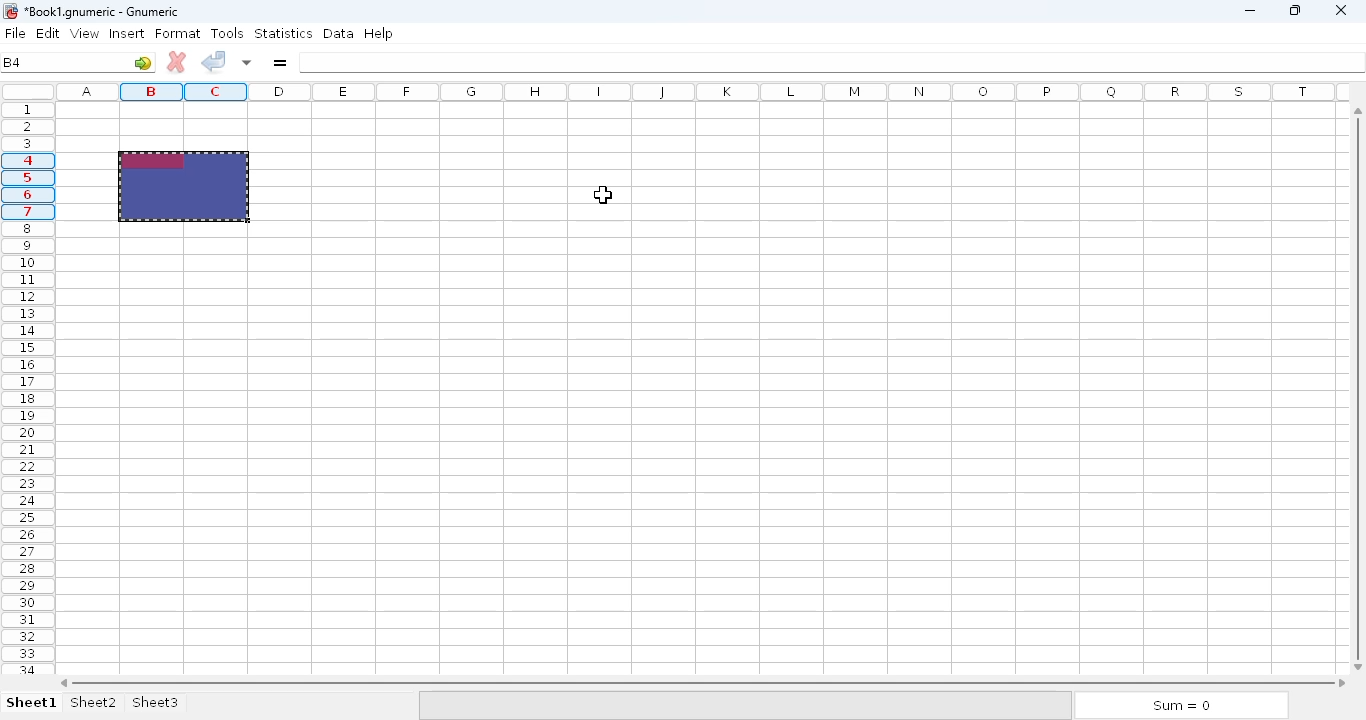  What do you see at coordinates (1250, 11) in the screenshot?
I see `minimize` at bounding box center [1250, 11].